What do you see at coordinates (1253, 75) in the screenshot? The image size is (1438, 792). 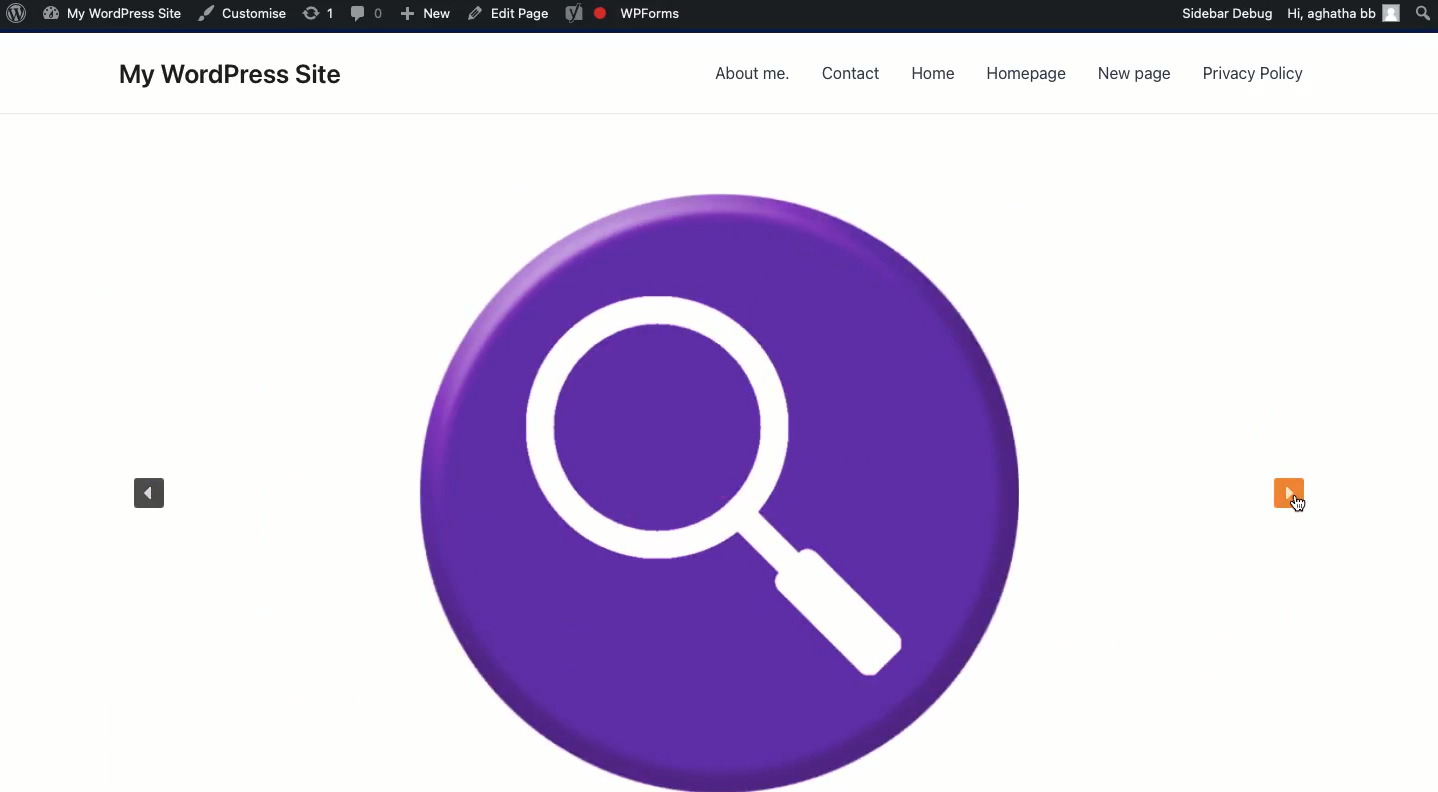 I see `Privacy policy` at bounding box center [1253, 75].